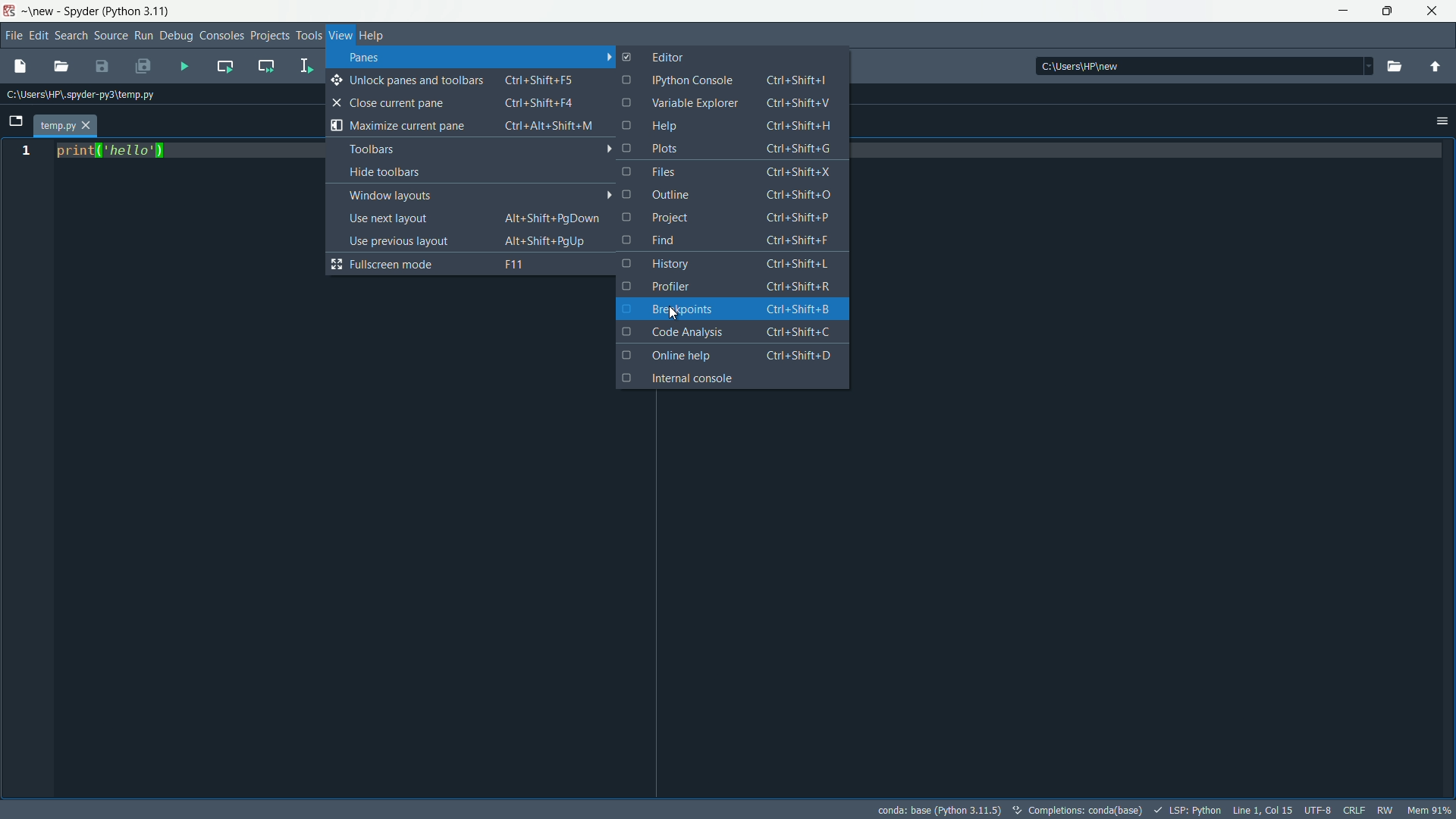  I want to click on mem 90%, so click(1432, 811).